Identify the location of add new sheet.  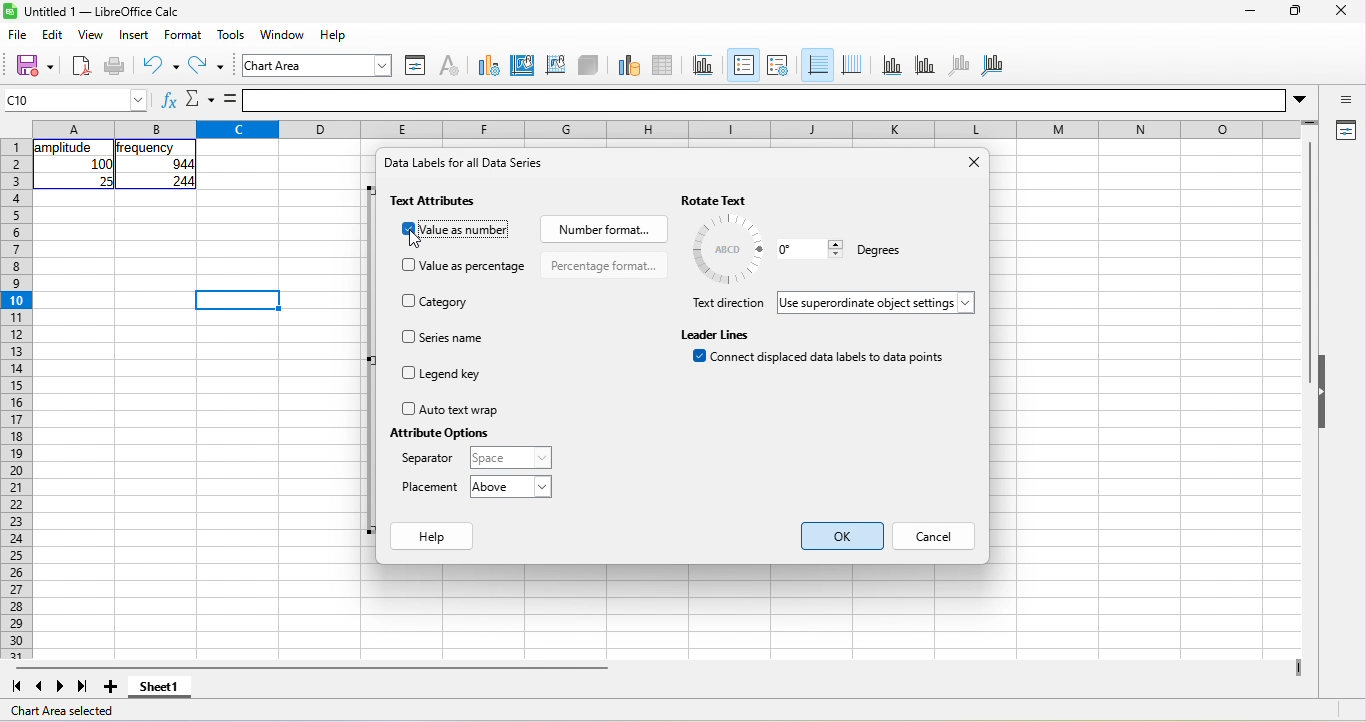
(111, 687).